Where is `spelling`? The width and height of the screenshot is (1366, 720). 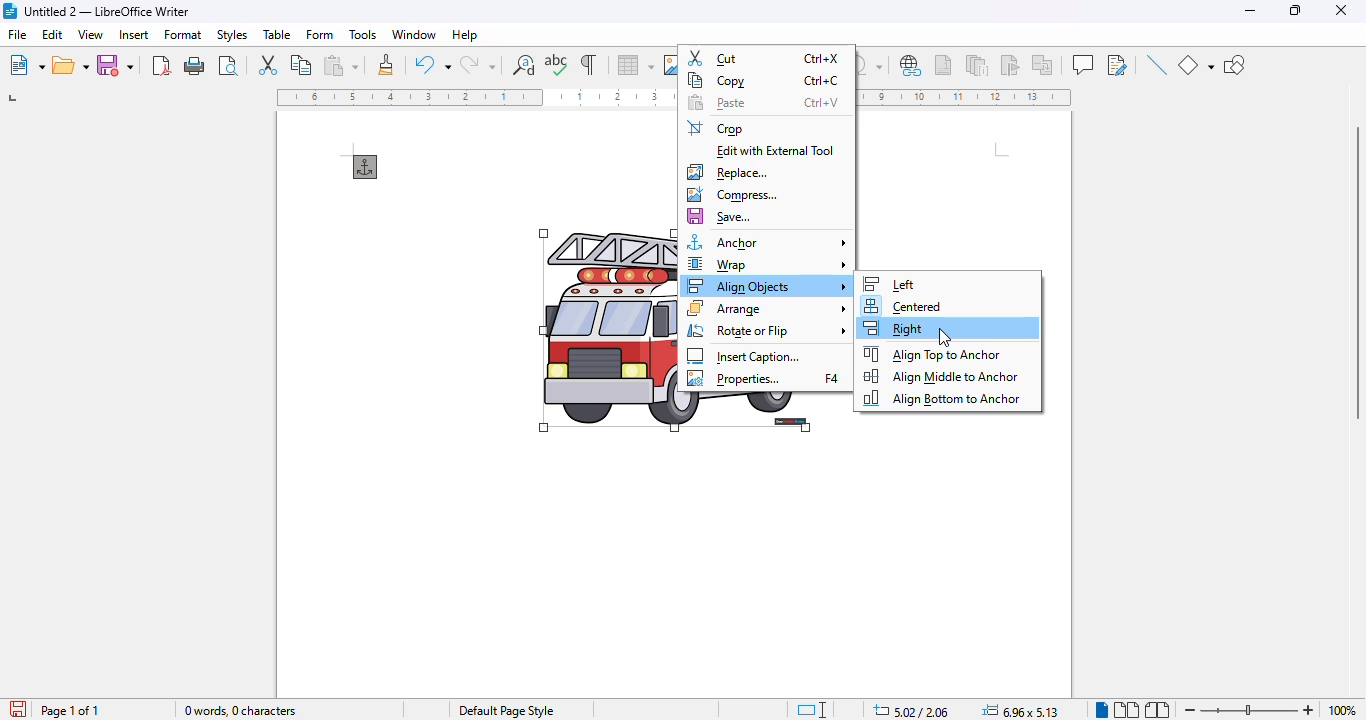 spelling is located at coordinates (557, 65).